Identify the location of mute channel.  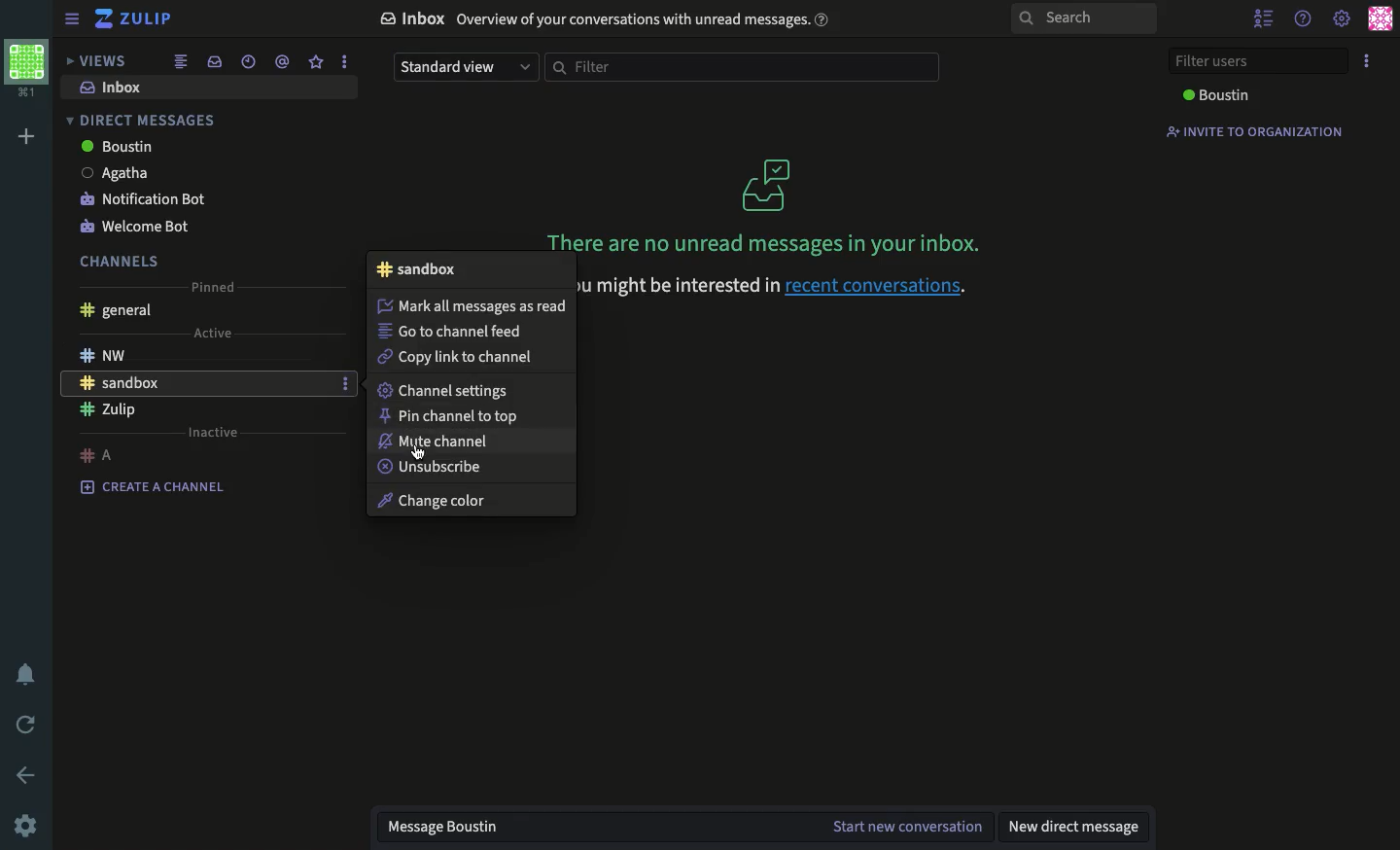
(438, 442).